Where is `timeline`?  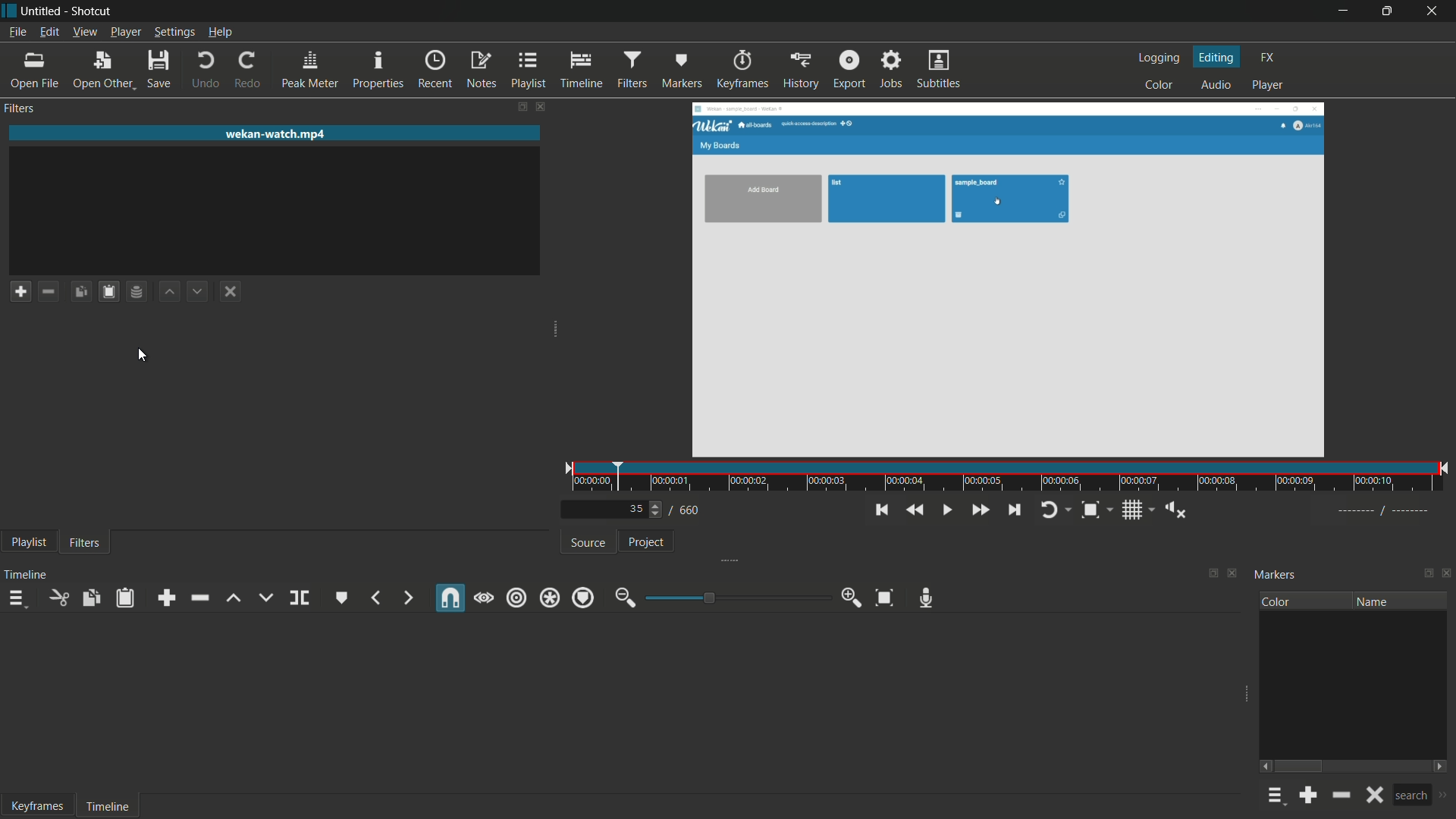 timeline is located at coordinates (577, 71).